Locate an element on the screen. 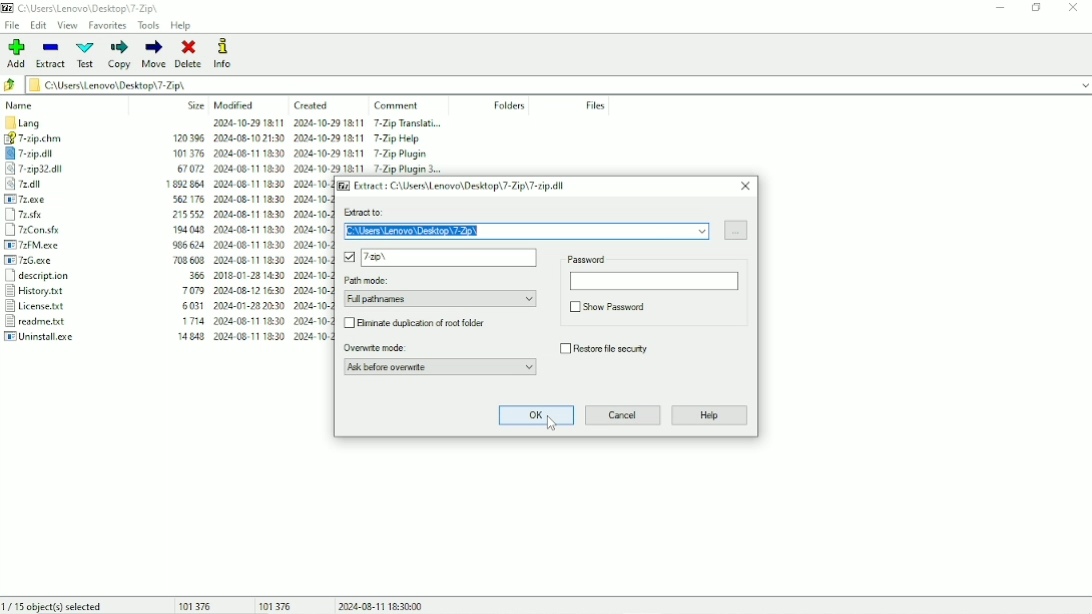 The height and width of the screenshot is (614, 1092). 2024-70-29 1211 2004-10-29 1&1 T-Zip Translati... is located at coordinates (315, 124).